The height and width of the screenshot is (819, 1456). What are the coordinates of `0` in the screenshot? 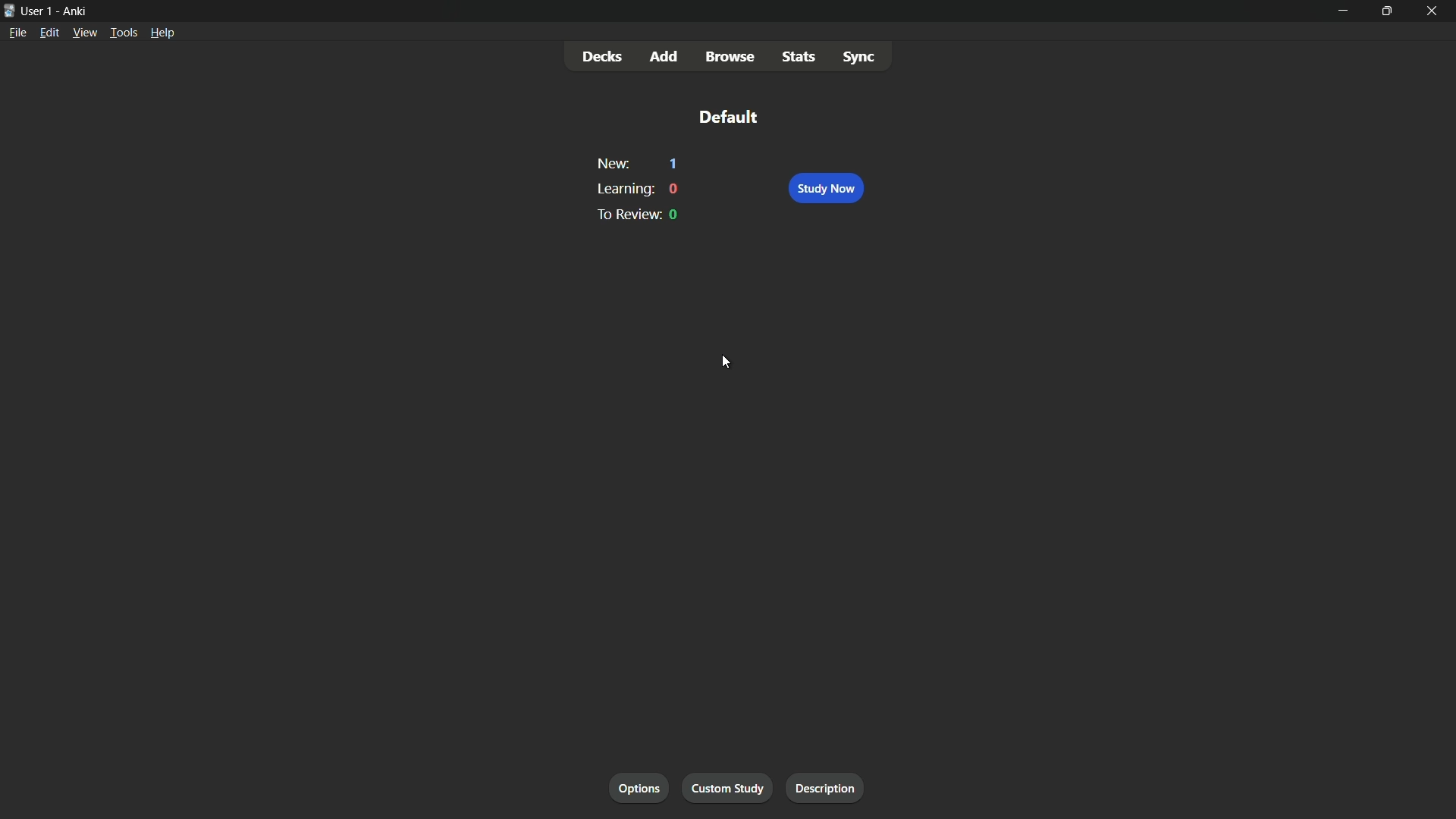 It's located at (676, 190).